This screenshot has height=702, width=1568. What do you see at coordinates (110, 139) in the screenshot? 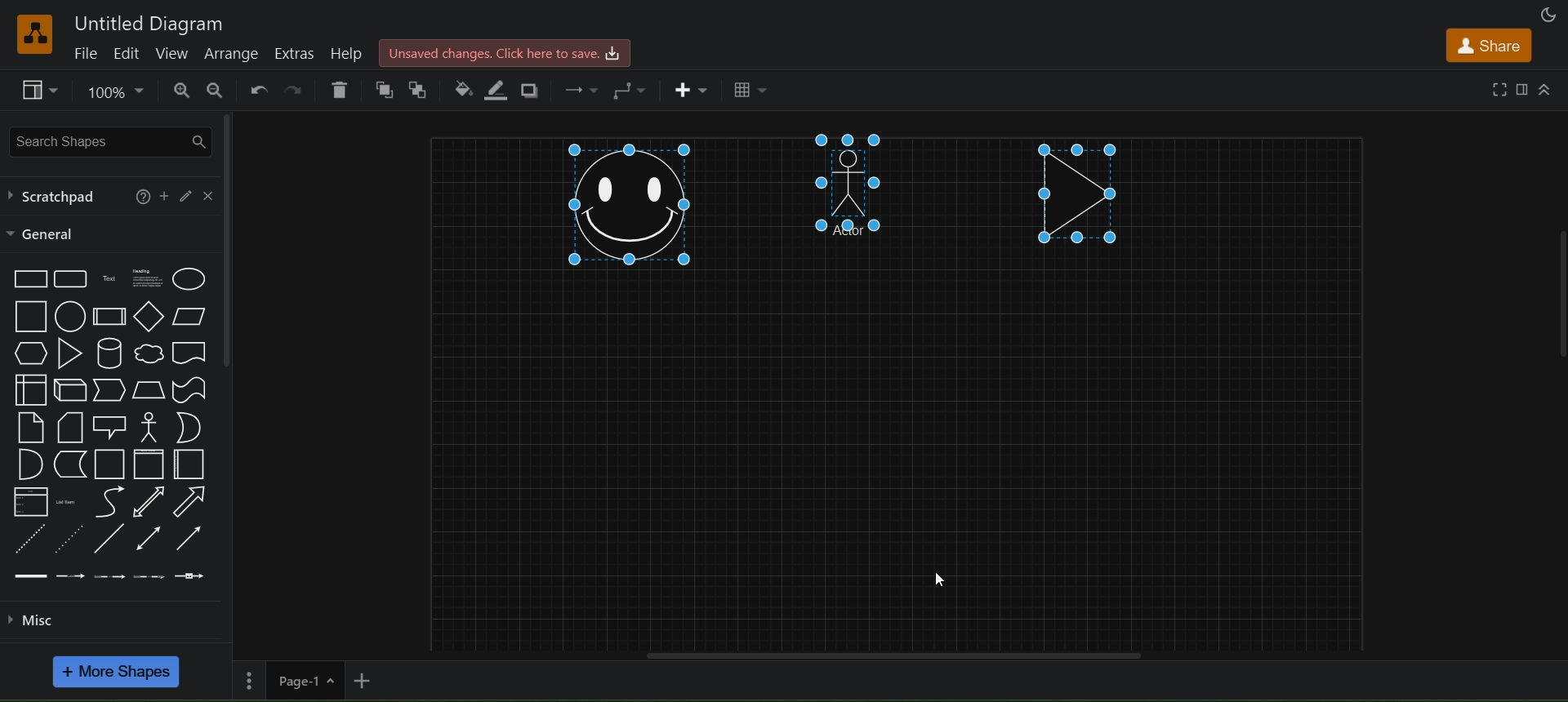
I see `search shapes` at bounding box center [110, 139].